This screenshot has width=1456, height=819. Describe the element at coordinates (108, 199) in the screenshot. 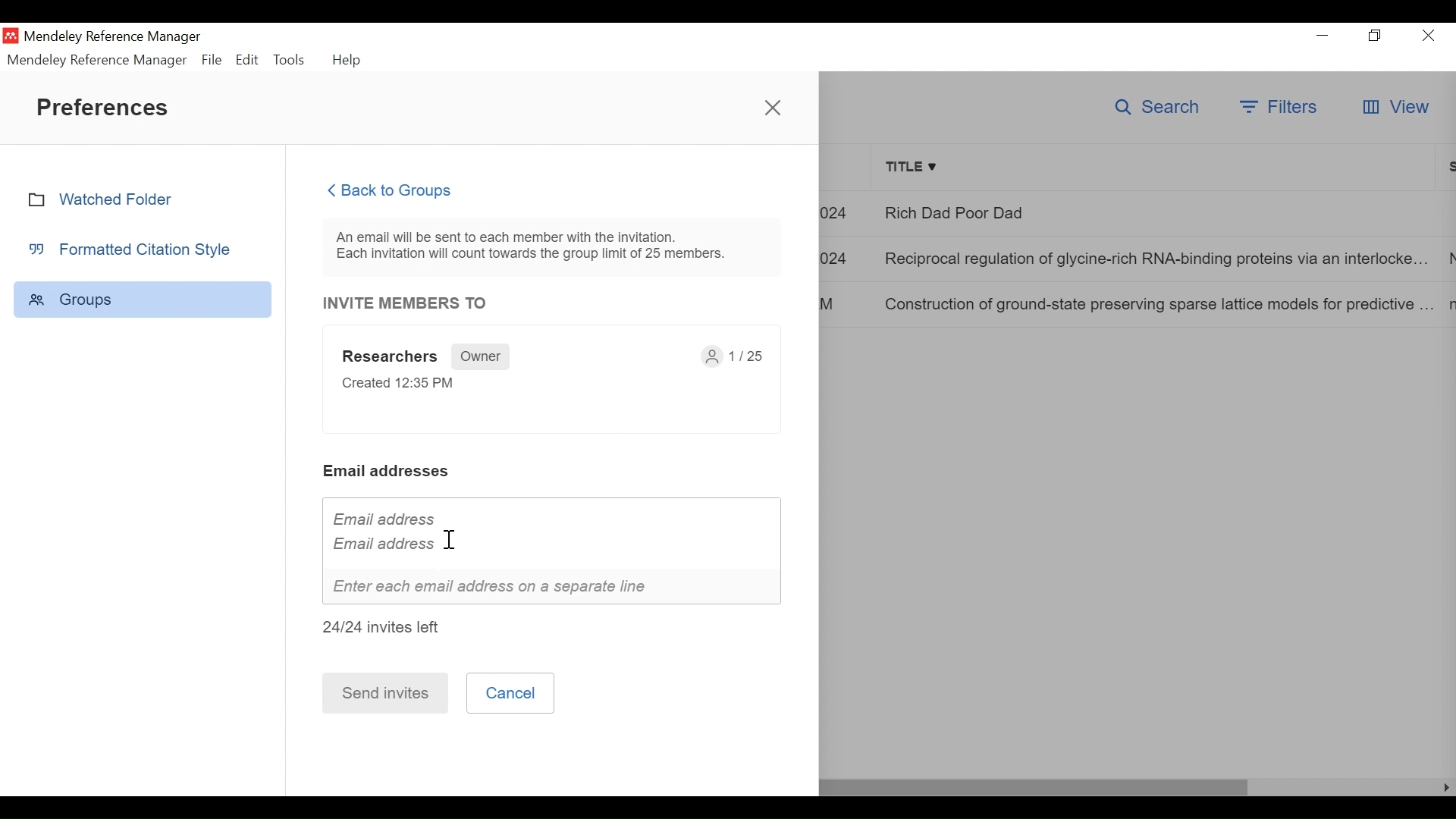

I see `Watched Folder` at that location.